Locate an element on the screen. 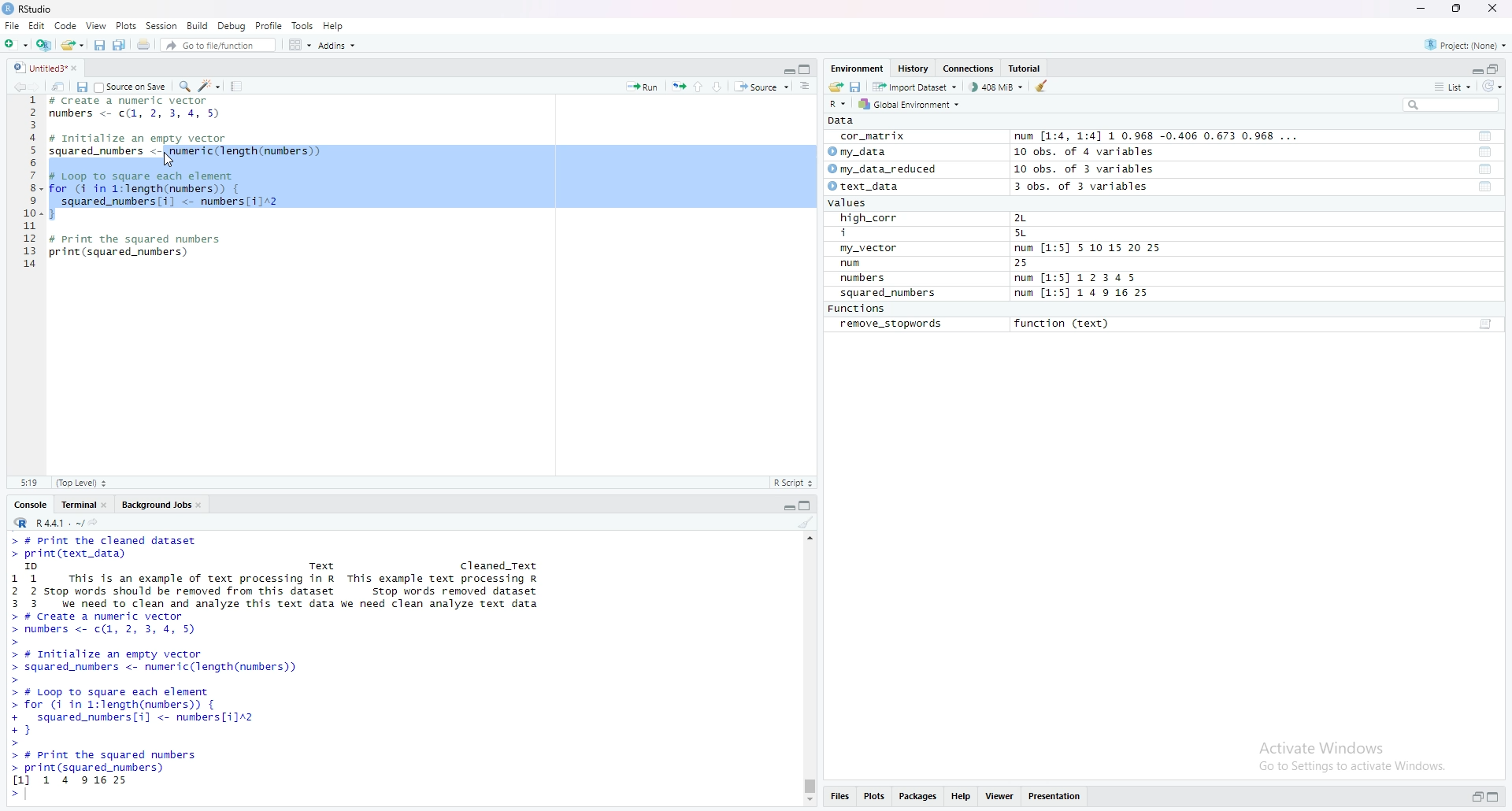 Image resolution: width=1512 pixels, height=811 pixels. Console is located at coordinates (31, 503).